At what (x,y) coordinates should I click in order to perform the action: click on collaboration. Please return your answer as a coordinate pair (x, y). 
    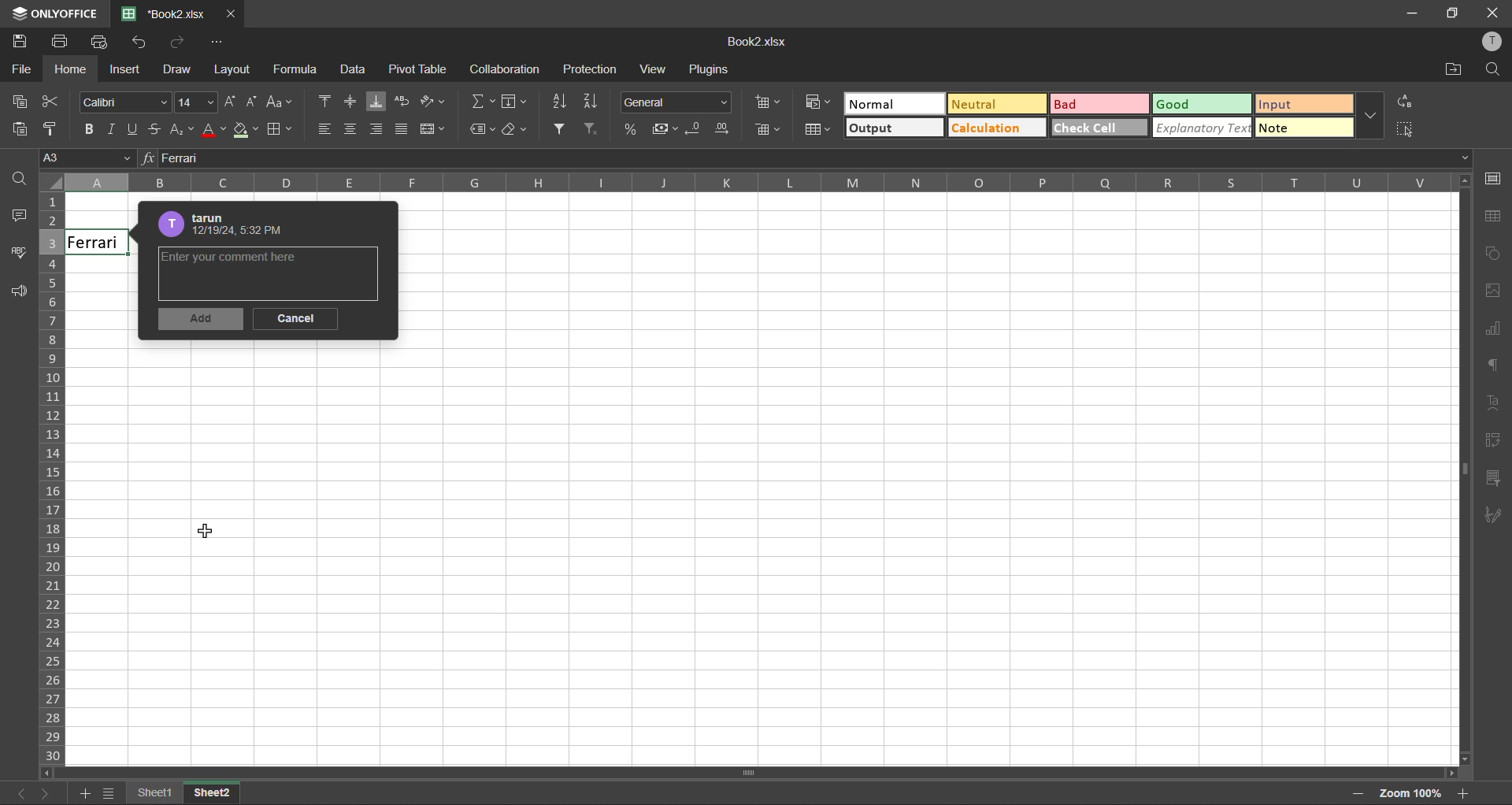
    Looking at the image, I should click on (504, 69).